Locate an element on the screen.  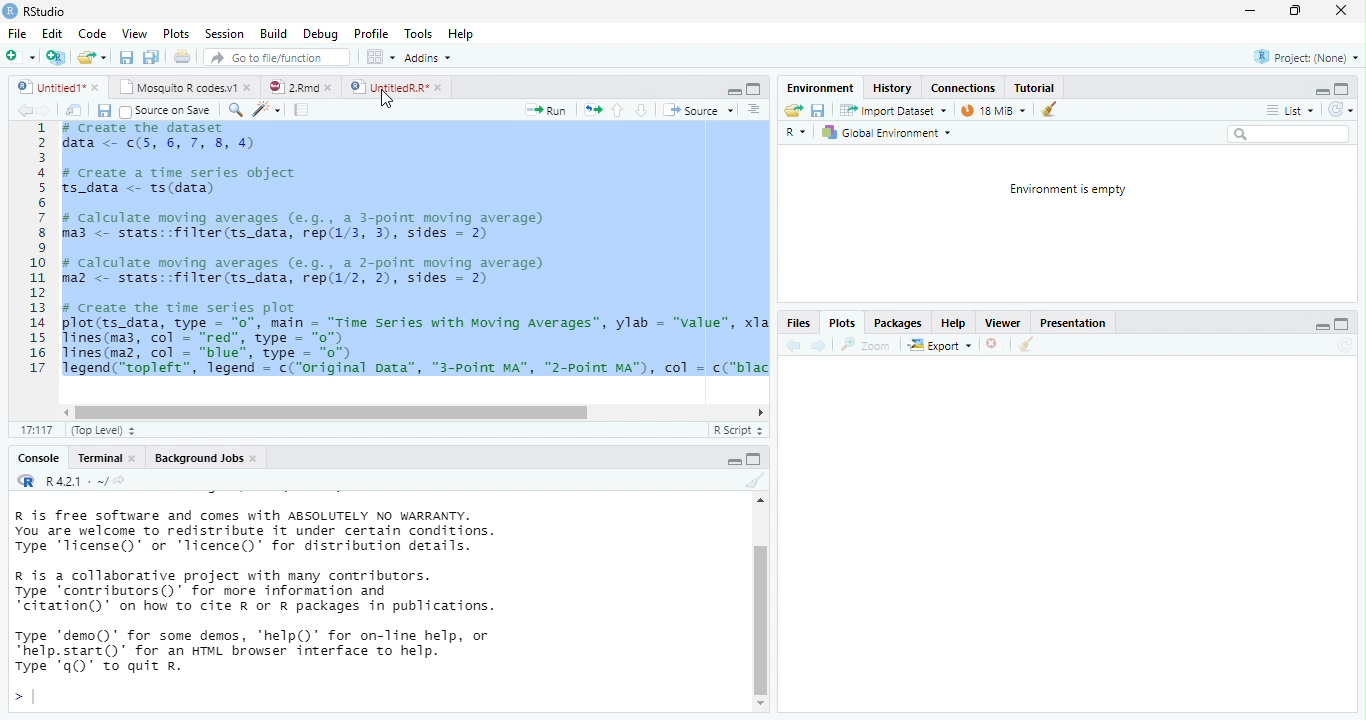
Packages is located at coordinates (898, 323).